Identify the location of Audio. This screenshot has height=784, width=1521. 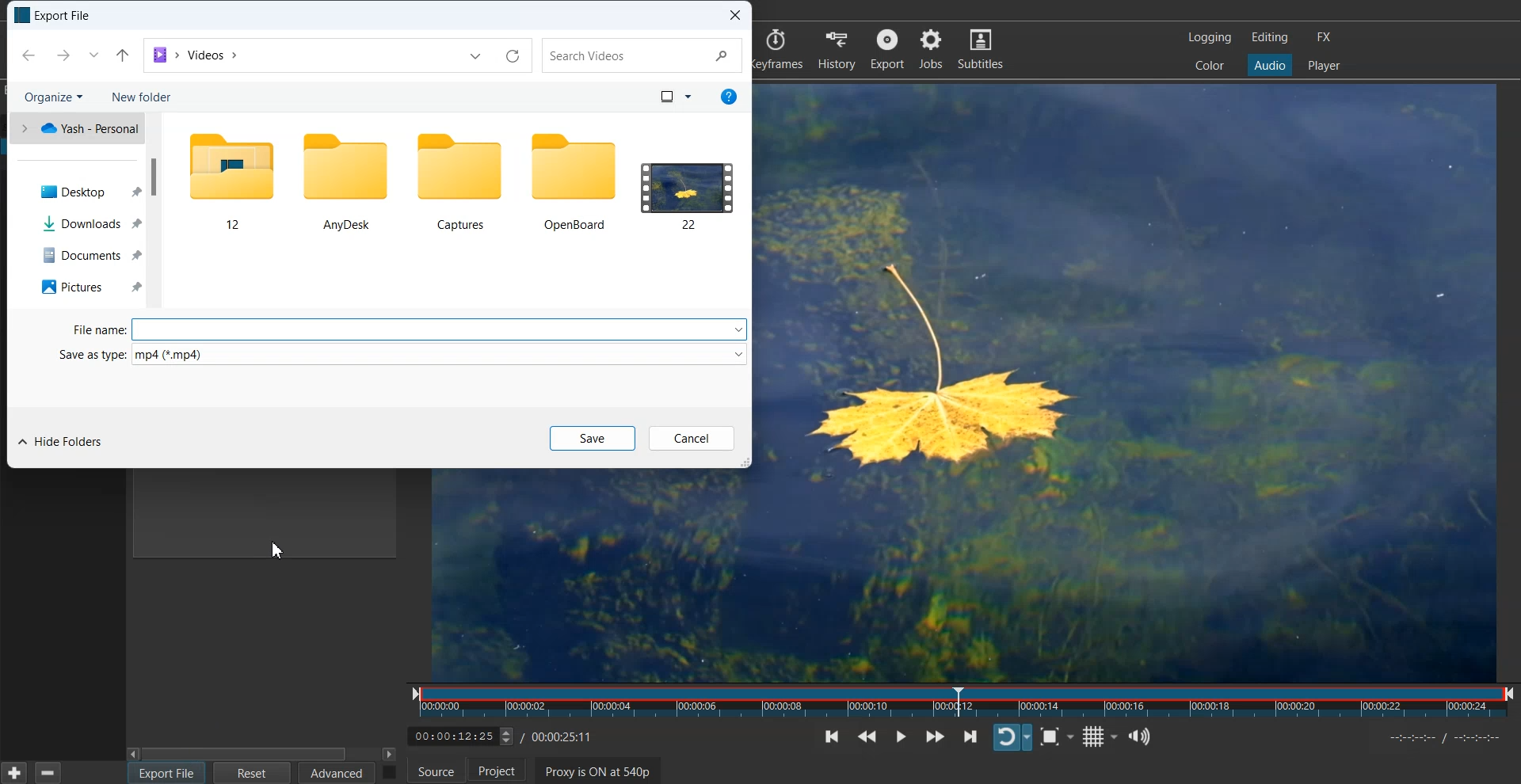
(1269, 64).